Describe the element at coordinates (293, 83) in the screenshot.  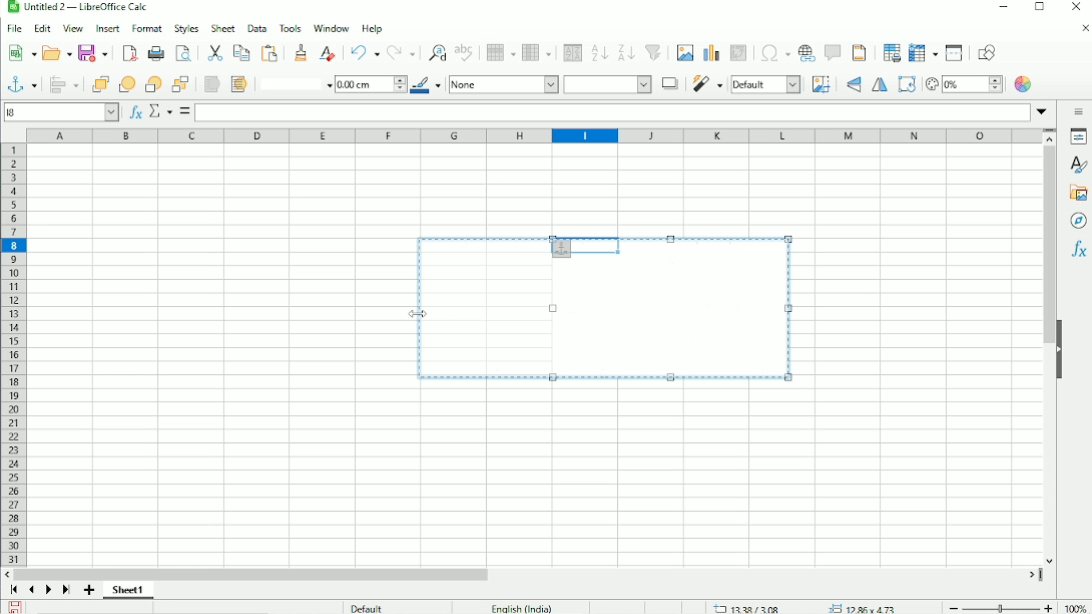
I see `Line style` at that location.